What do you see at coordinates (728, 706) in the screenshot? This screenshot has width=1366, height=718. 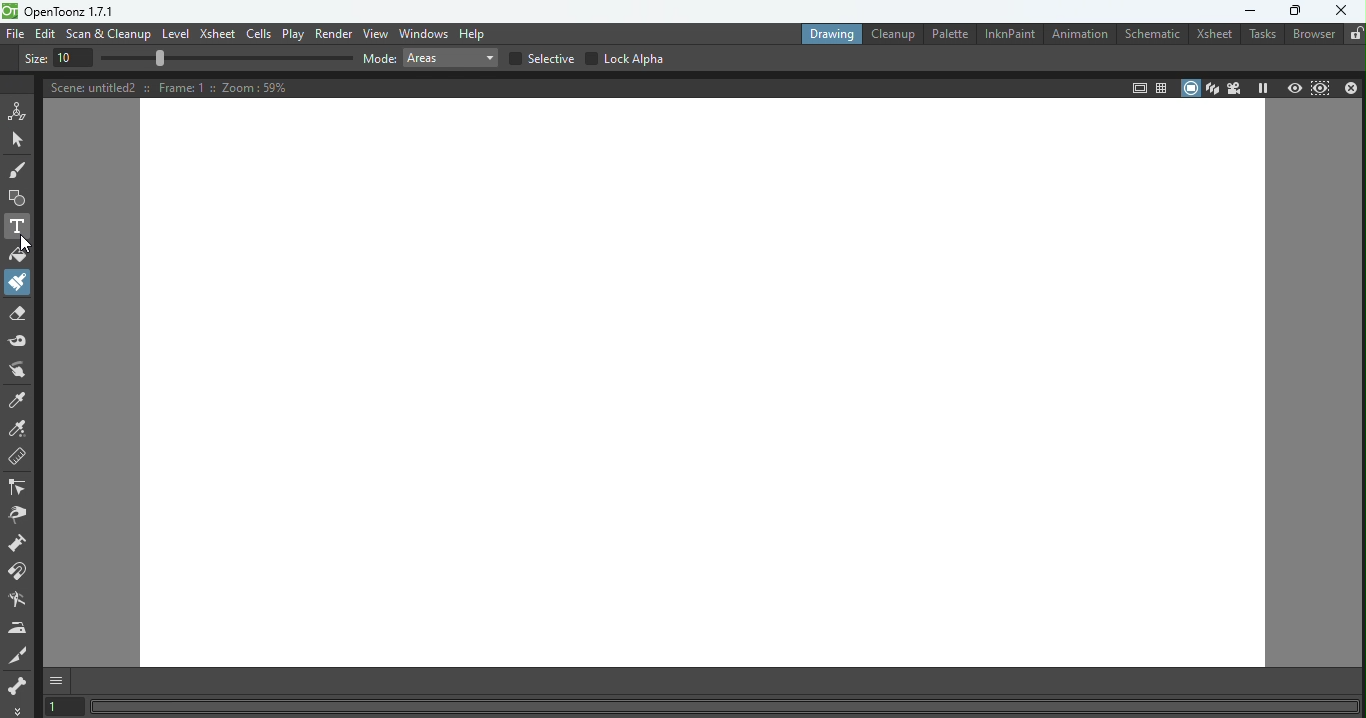 I see `Status bar` at bounding box center [728, 706].